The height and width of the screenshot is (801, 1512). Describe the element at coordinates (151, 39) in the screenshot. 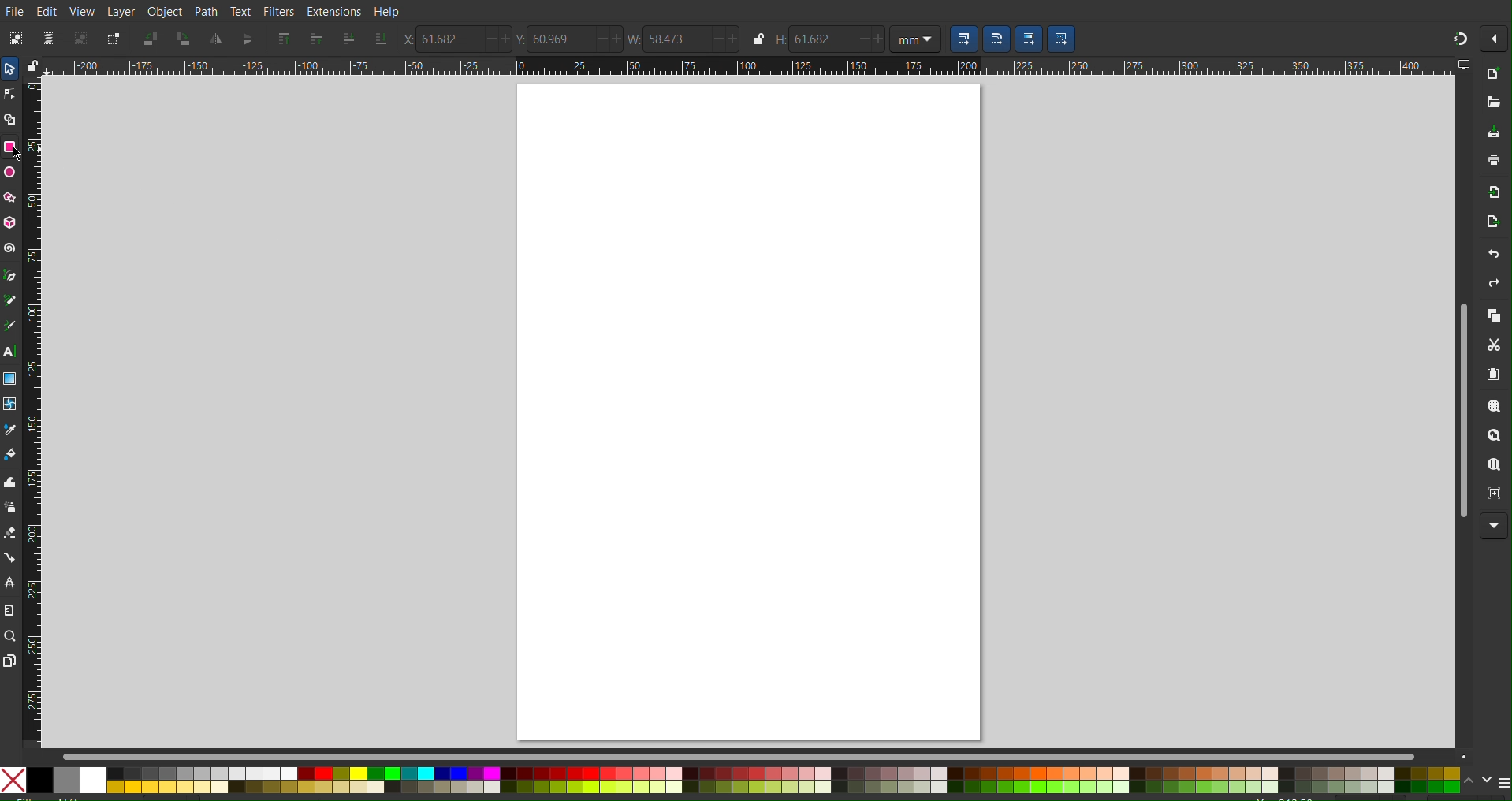

I see `Rotate CCW` at that location.